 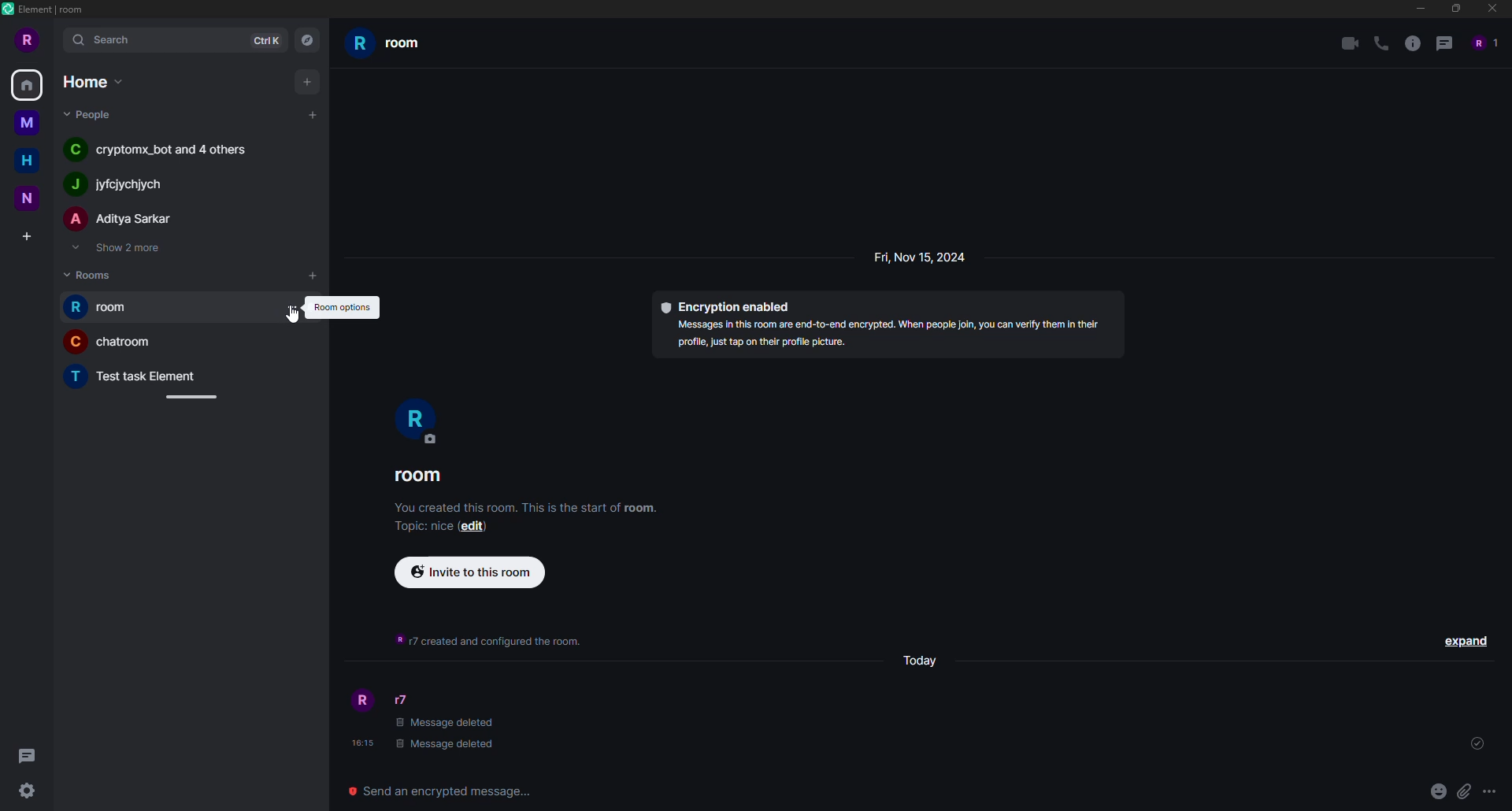 I want to click on add, so click(x=313, y=278).